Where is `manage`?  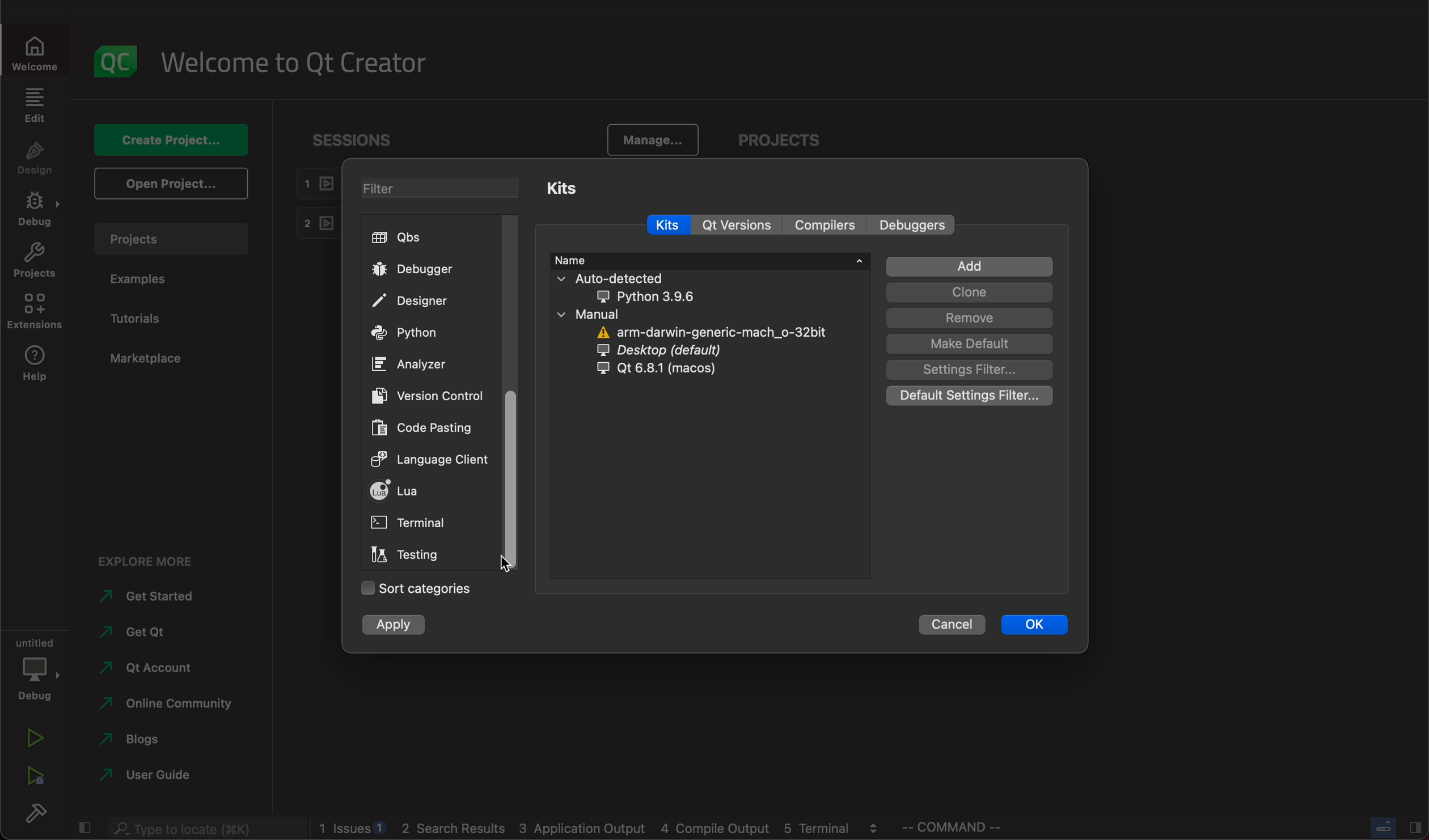
manage is located at coordinates (653, 139).